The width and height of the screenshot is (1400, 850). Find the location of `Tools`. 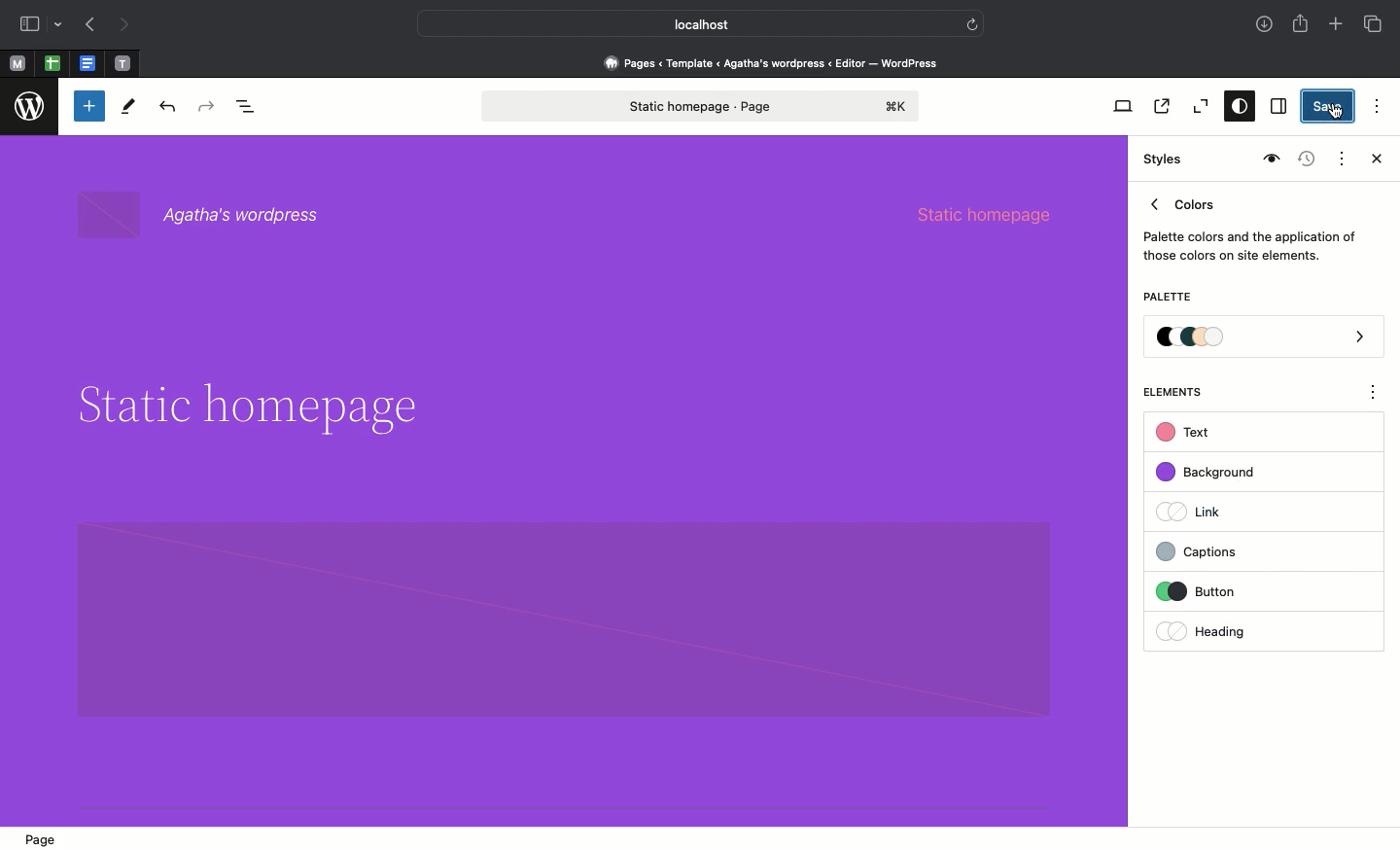

Tools is located at coordinates (129, 111).